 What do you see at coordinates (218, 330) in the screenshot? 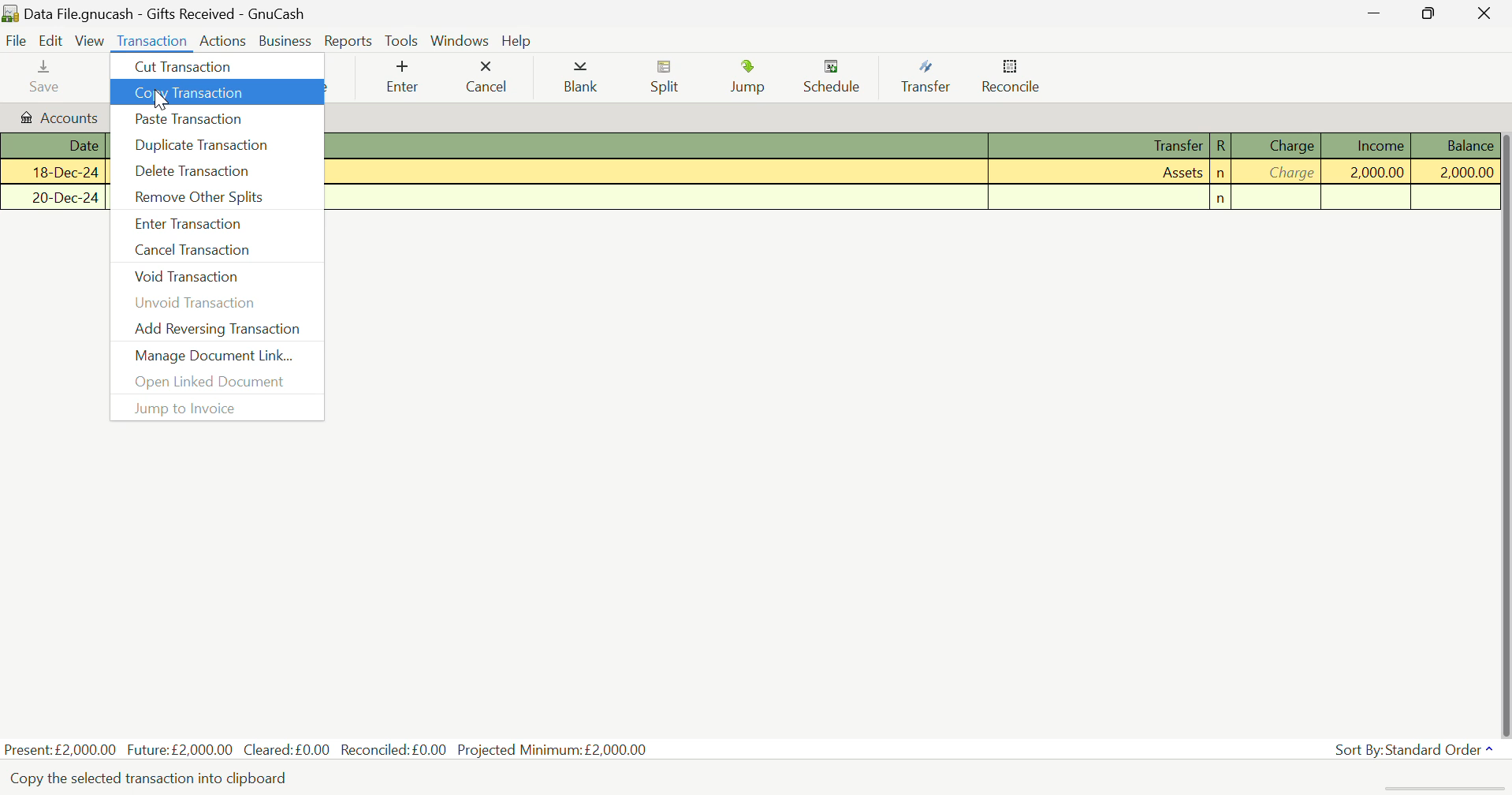
I see `Add Reversing Transaction` at bounding box center [218, 330].